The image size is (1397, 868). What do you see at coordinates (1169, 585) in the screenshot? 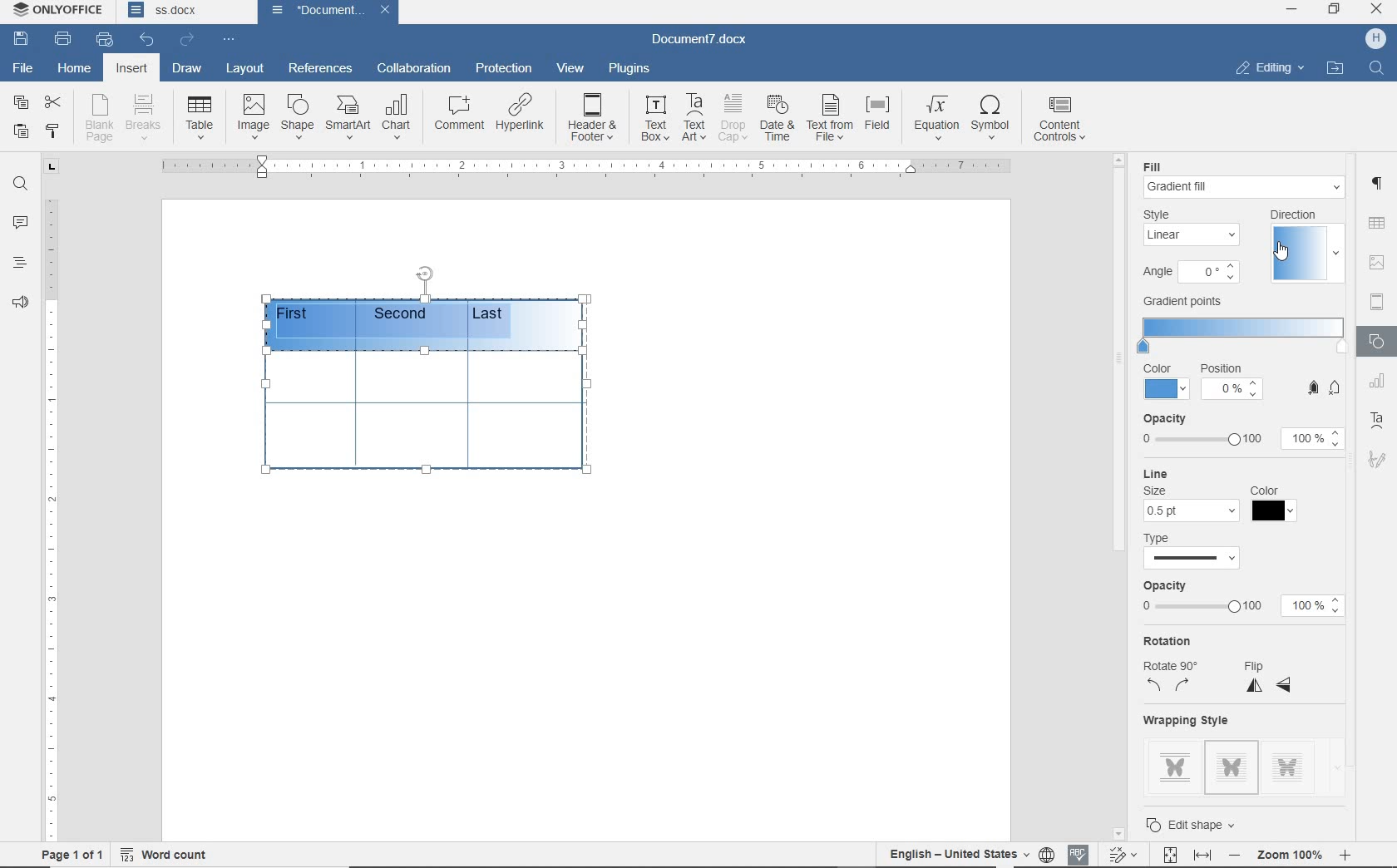
I see `opacity` at bounding box center [1169, 585].